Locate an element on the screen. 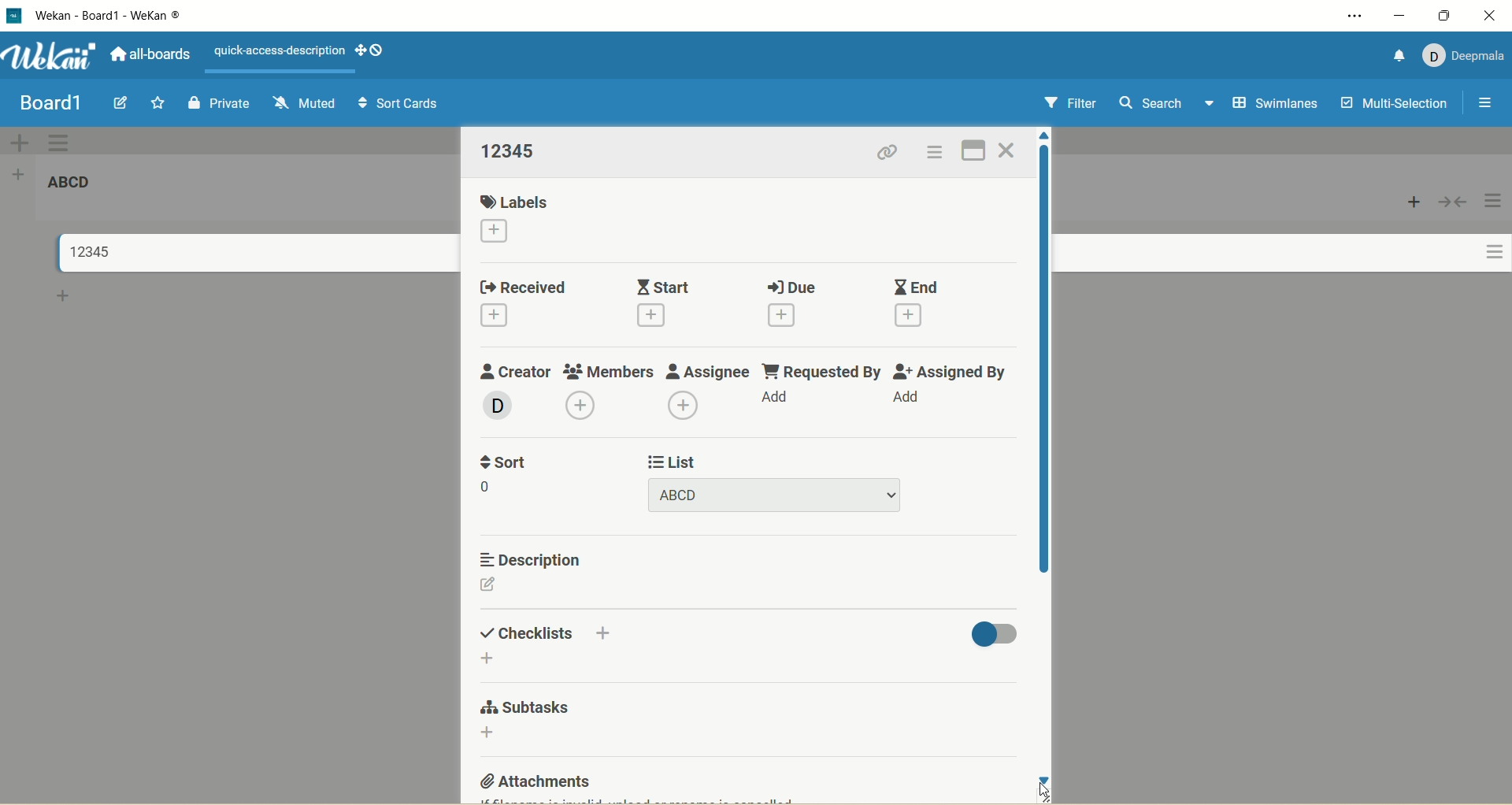 This screenshot has height=805, width=1512. creator is located at coordinates (516, 368).